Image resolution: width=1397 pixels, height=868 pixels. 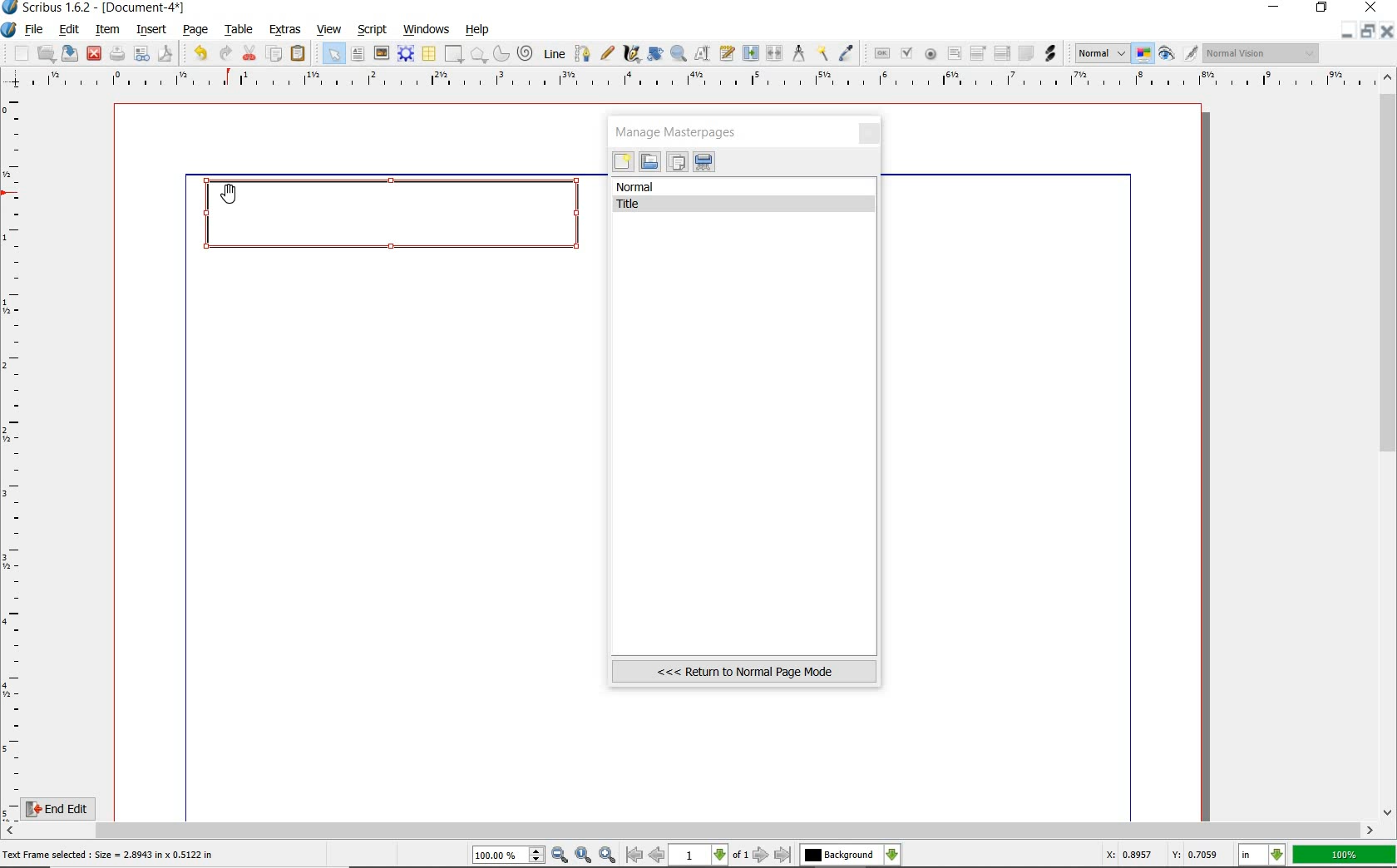 What do you see at coordinates (1349, 31) in the screenshot?
I see `minimize` at bounding box center [1349, 31].